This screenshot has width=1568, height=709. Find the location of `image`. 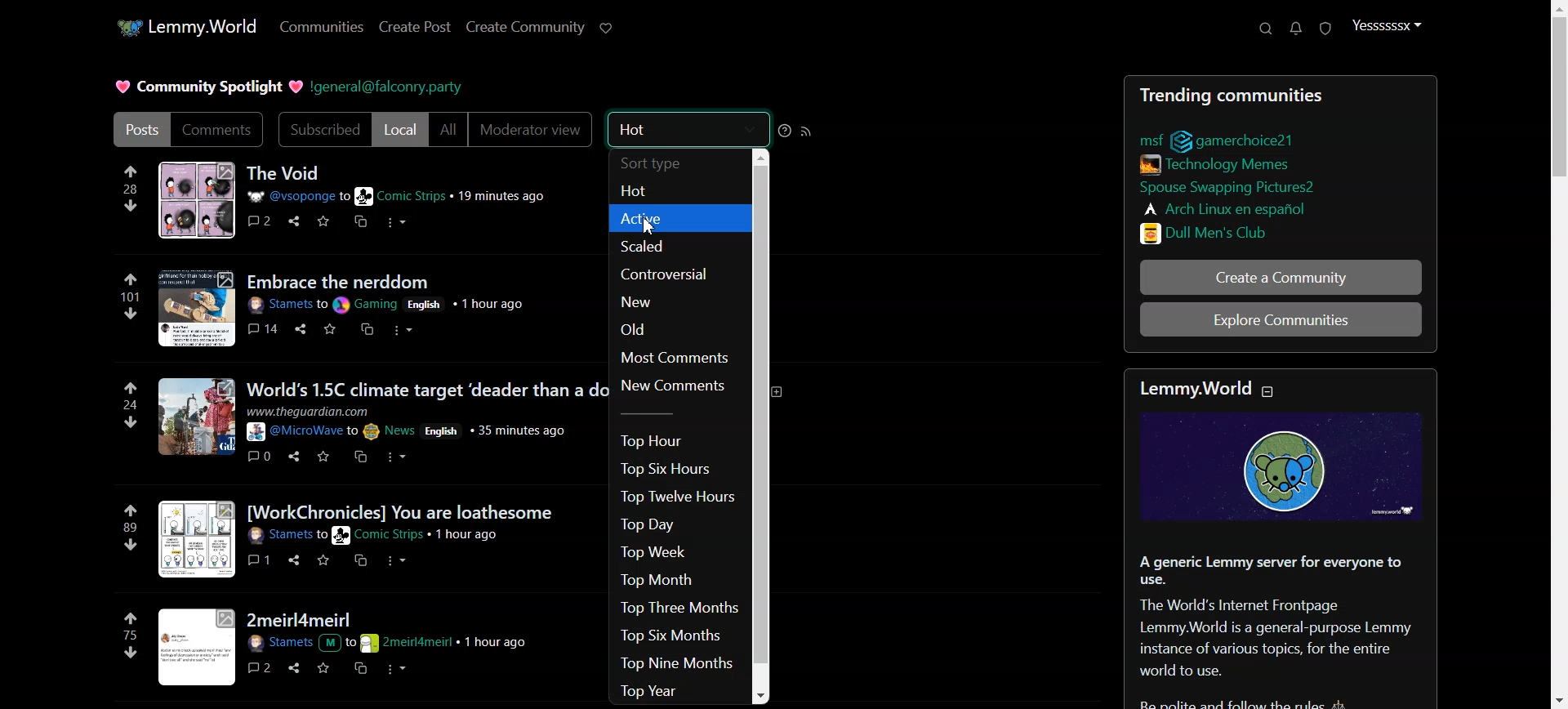

image is located at coordinates (1293, 469).